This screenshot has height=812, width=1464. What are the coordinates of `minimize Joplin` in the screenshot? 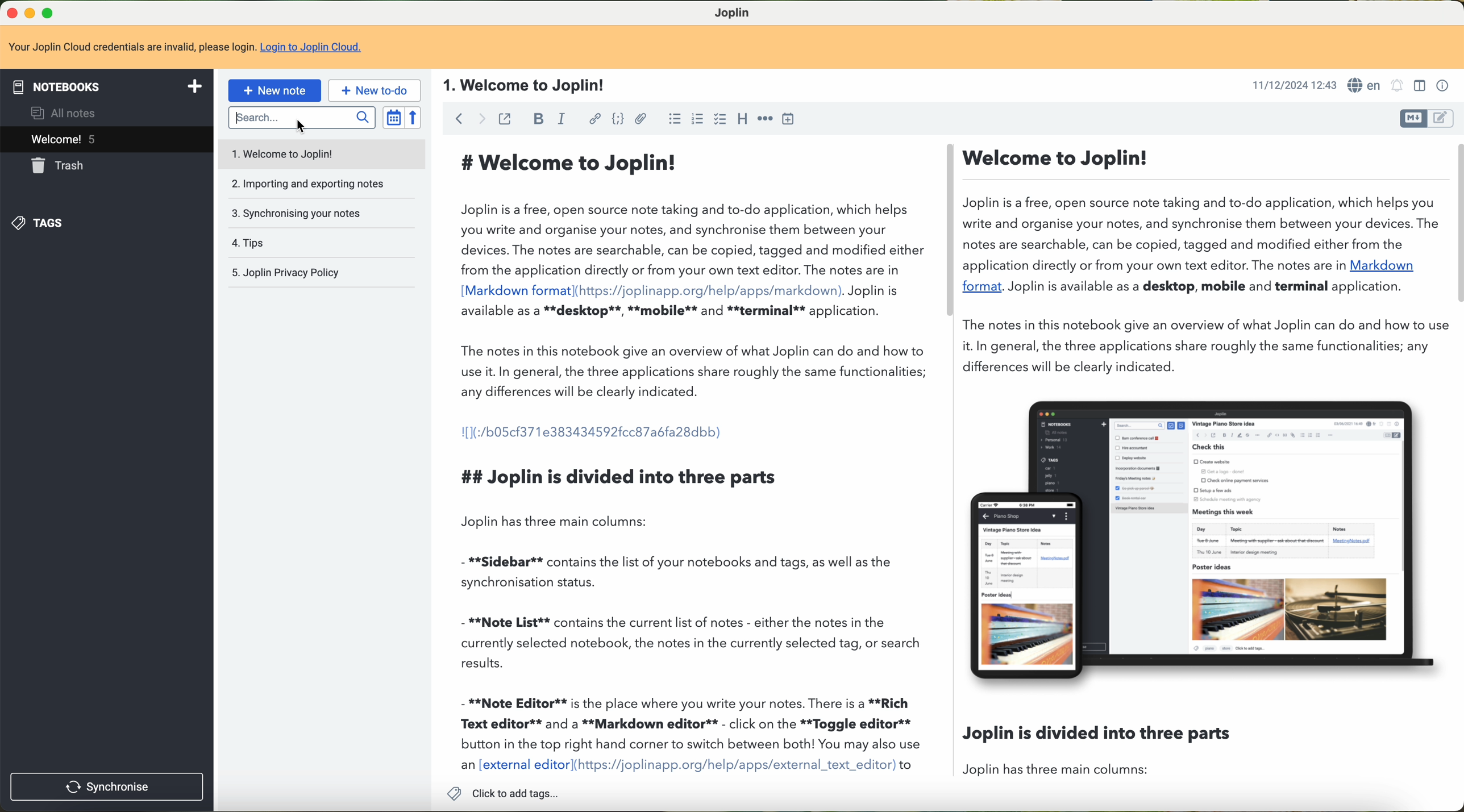 It's located at (30, 14).